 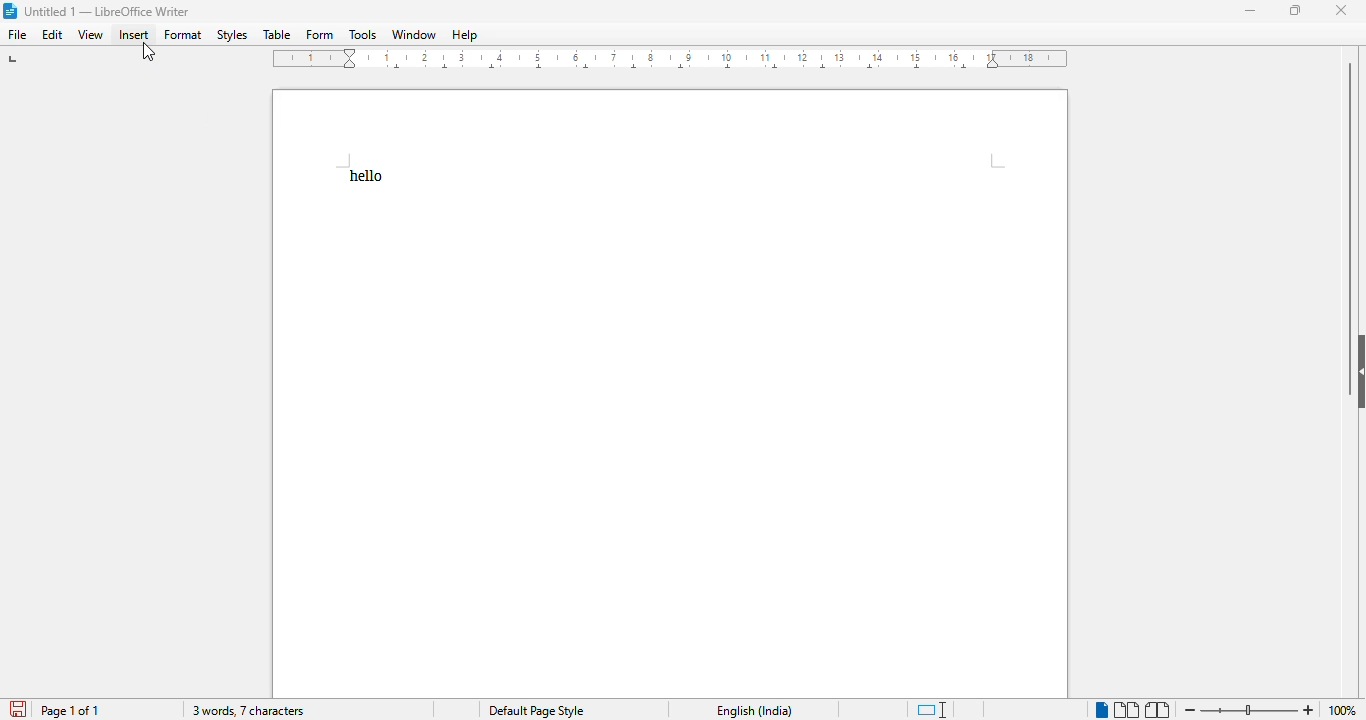 I want to click on title, so click(x=108, y=11).